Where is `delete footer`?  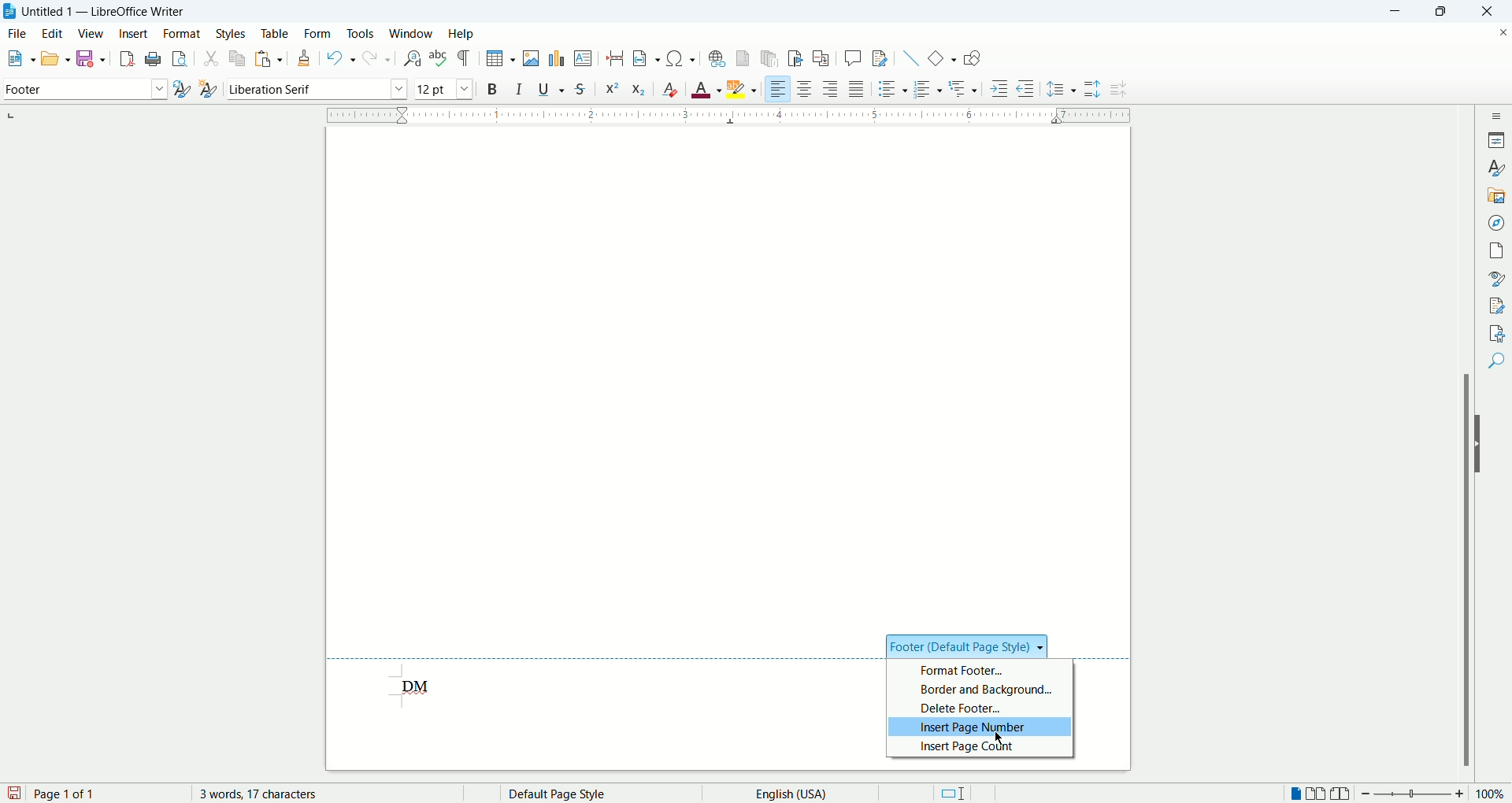 delete footer is located at coordinates (984, 709).